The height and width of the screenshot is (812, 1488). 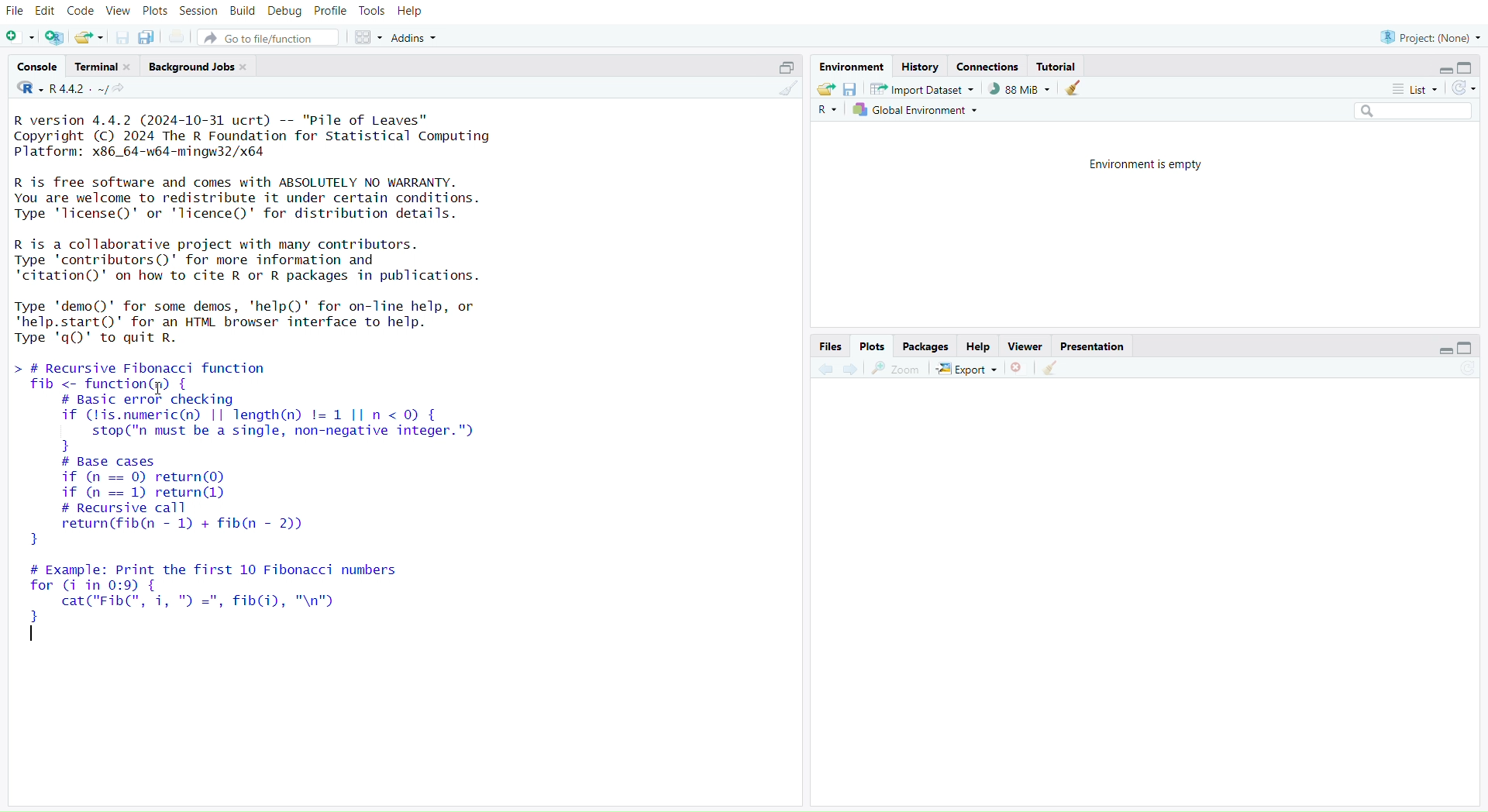 I want to click on project(None), so click(x=1428, y=38).